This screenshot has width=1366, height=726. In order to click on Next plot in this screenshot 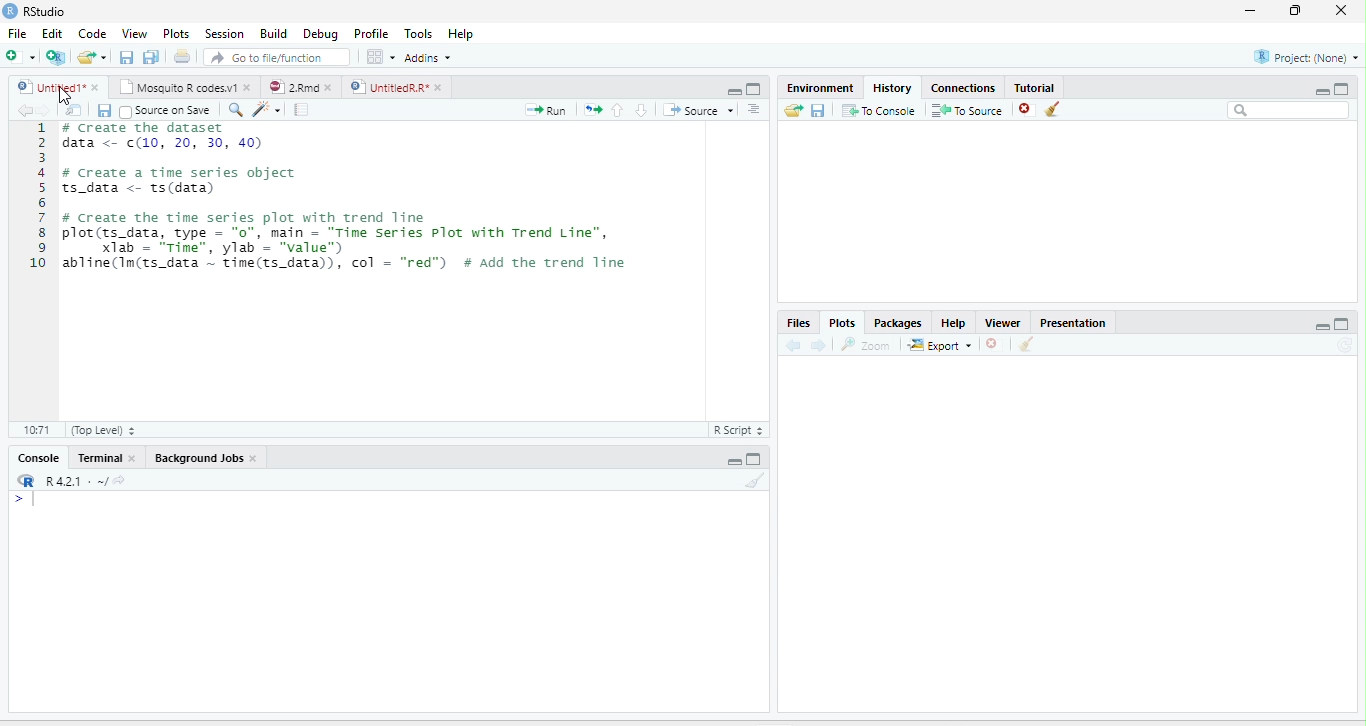, I will do `click(818, 345)`.